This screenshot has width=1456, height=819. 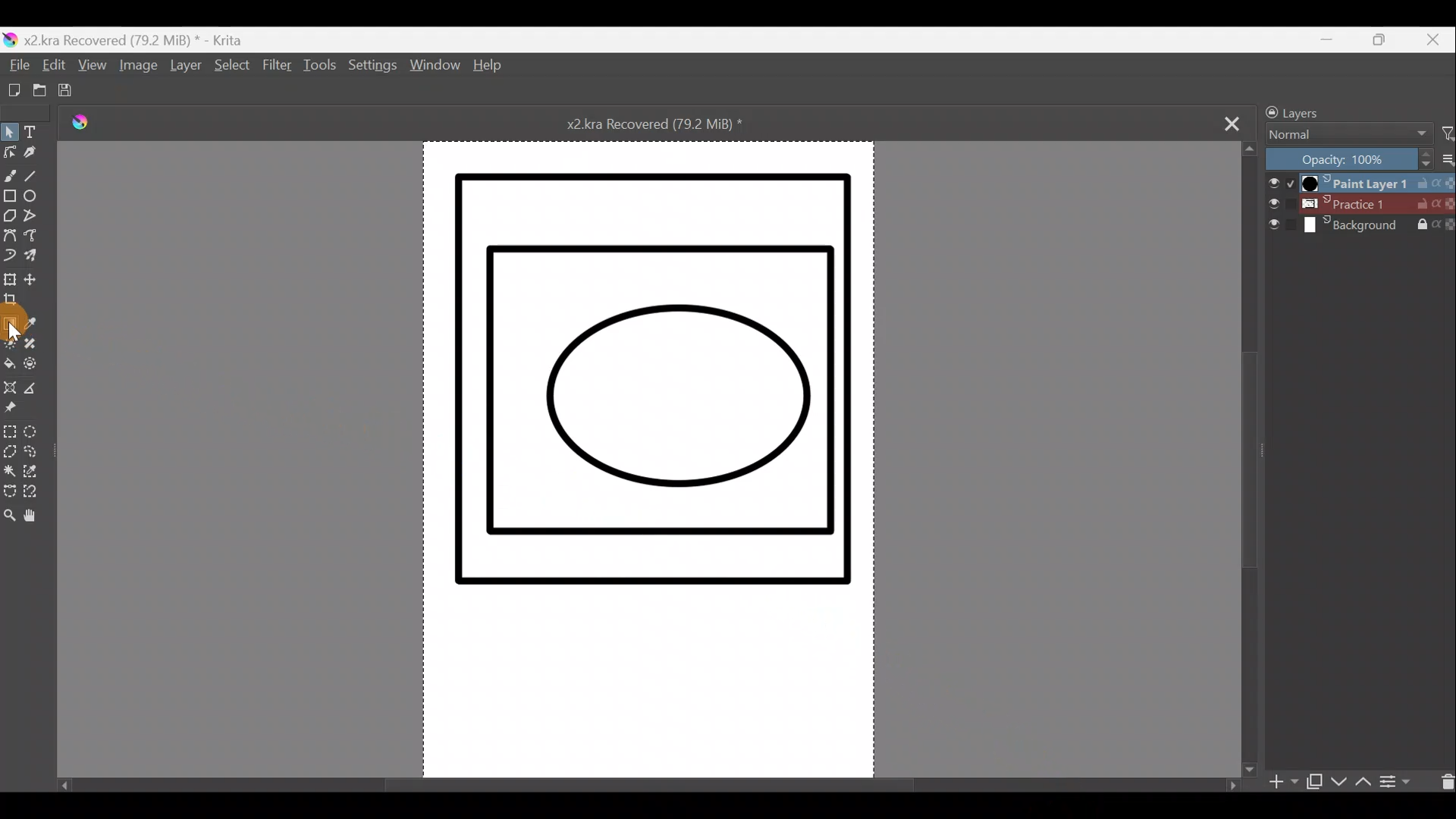 I want to click on Multibrush tool, so click(x=36, y=257).